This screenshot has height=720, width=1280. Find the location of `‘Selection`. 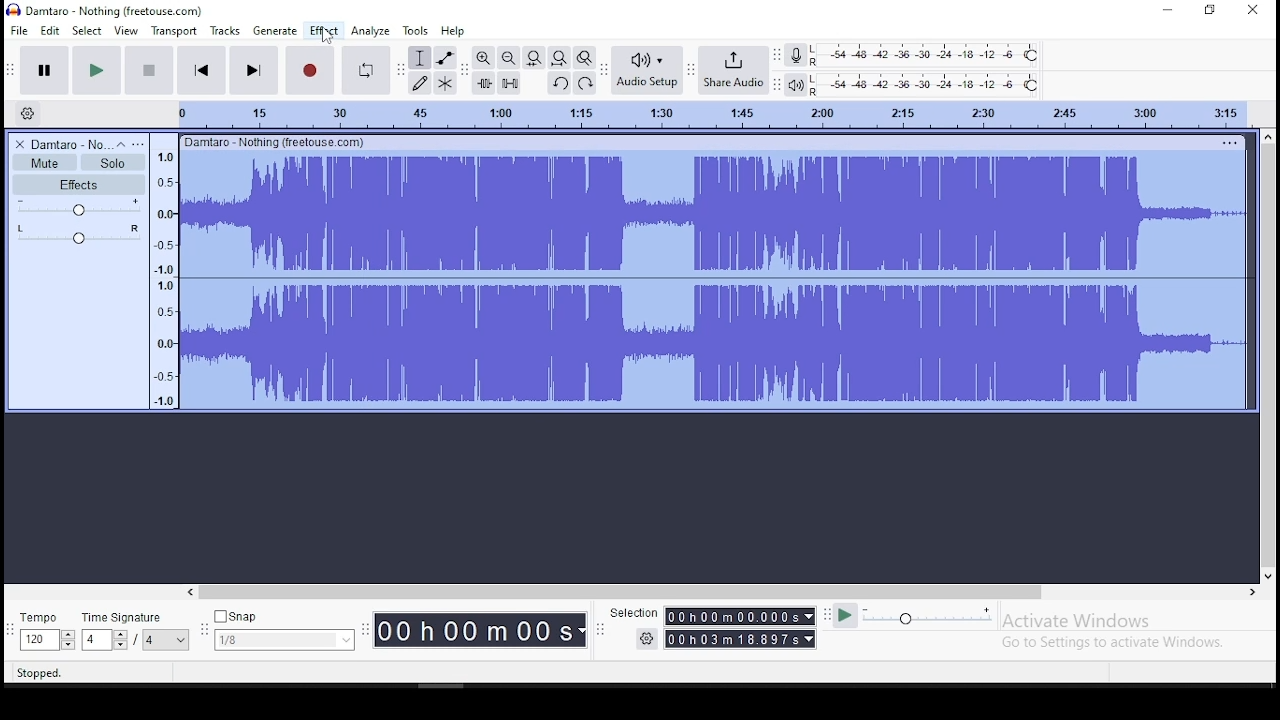

‘Selection is located at coordinates (632, 614).